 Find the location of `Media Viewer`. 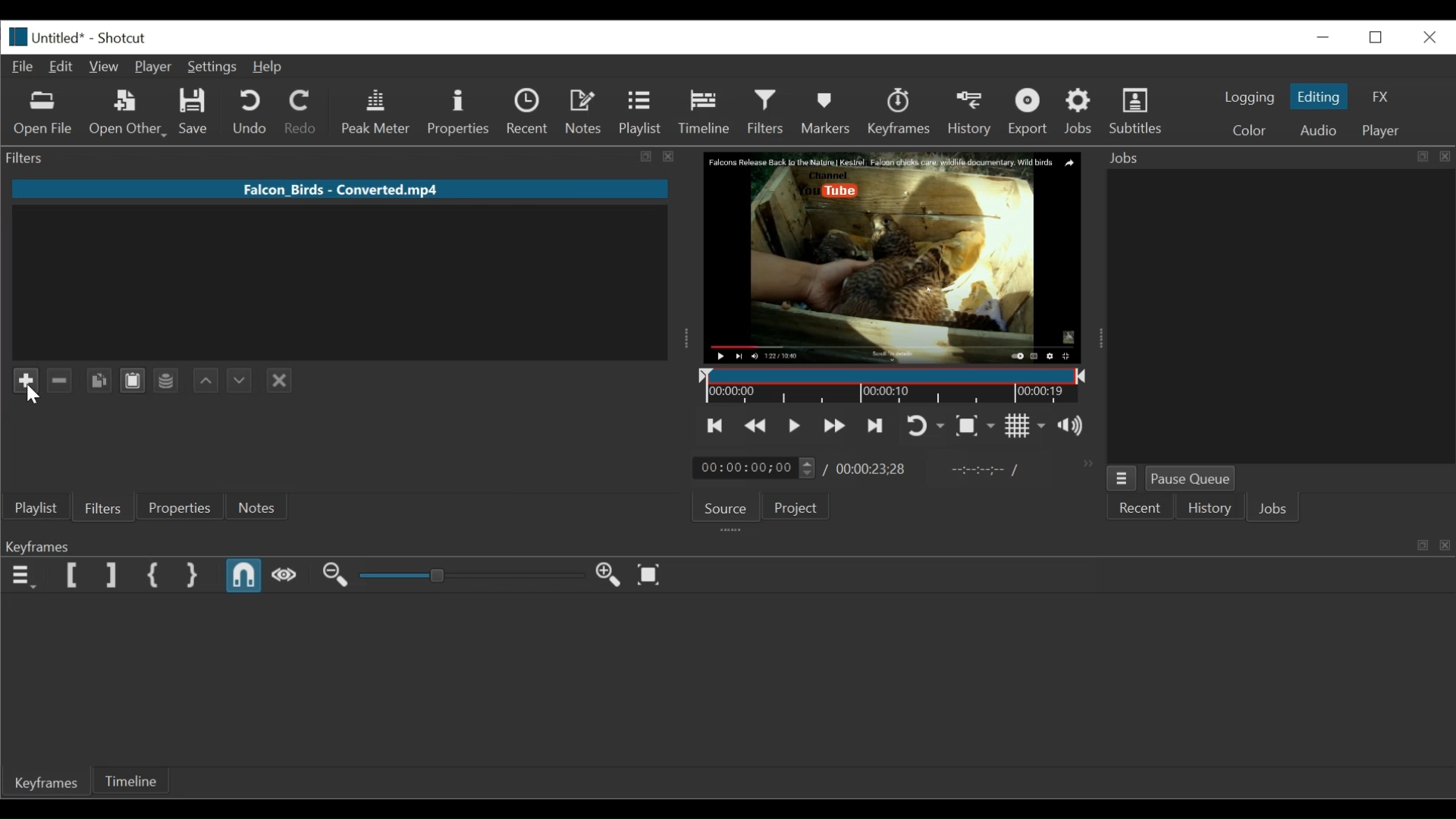

Media Viewer is located at coordinates (890, 257).